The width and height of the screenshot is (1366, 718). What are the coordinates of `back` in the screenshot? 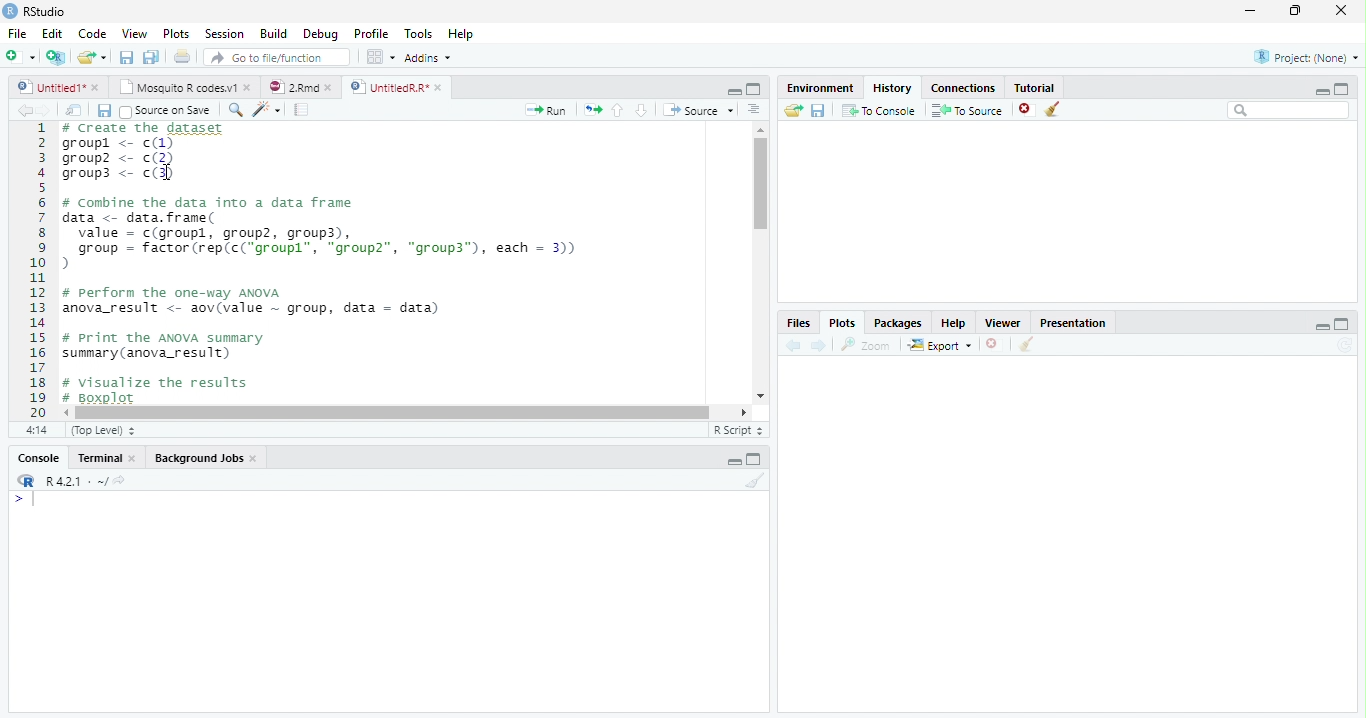 It's located at (797, 343).